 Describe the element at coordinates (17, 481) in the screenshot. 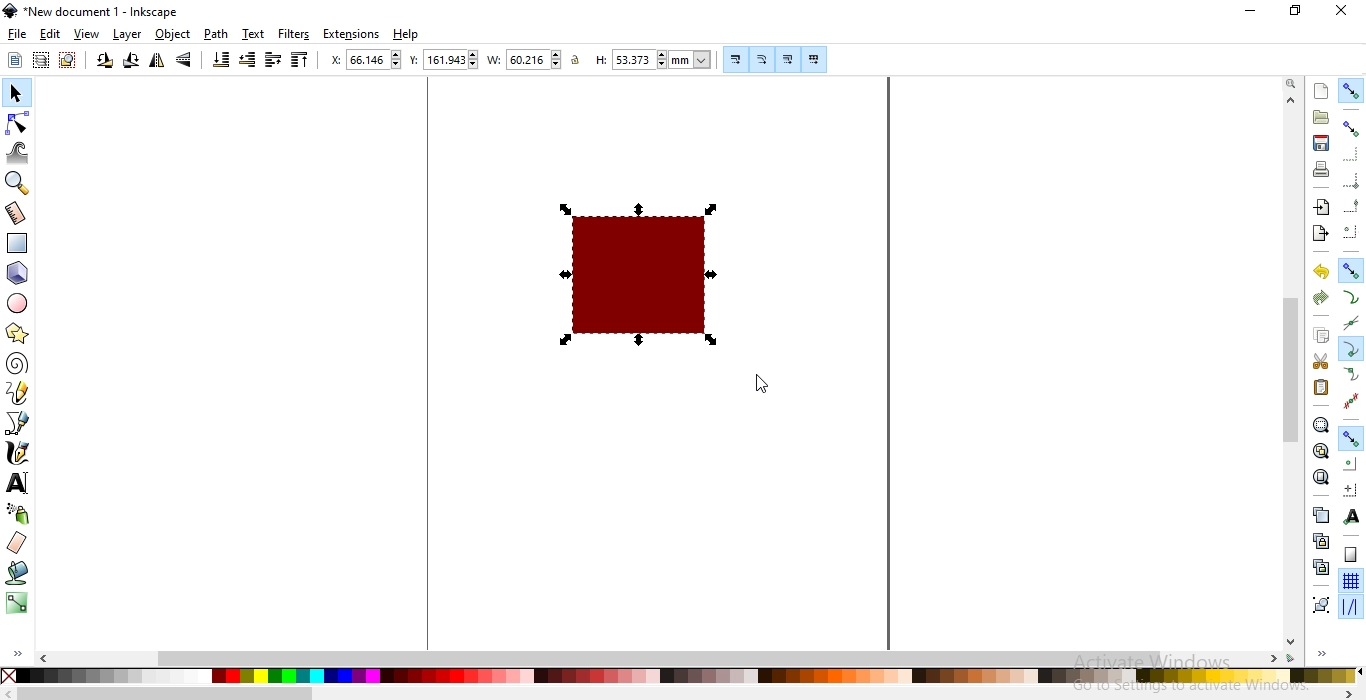

I see `create and edit text objects` at that location.